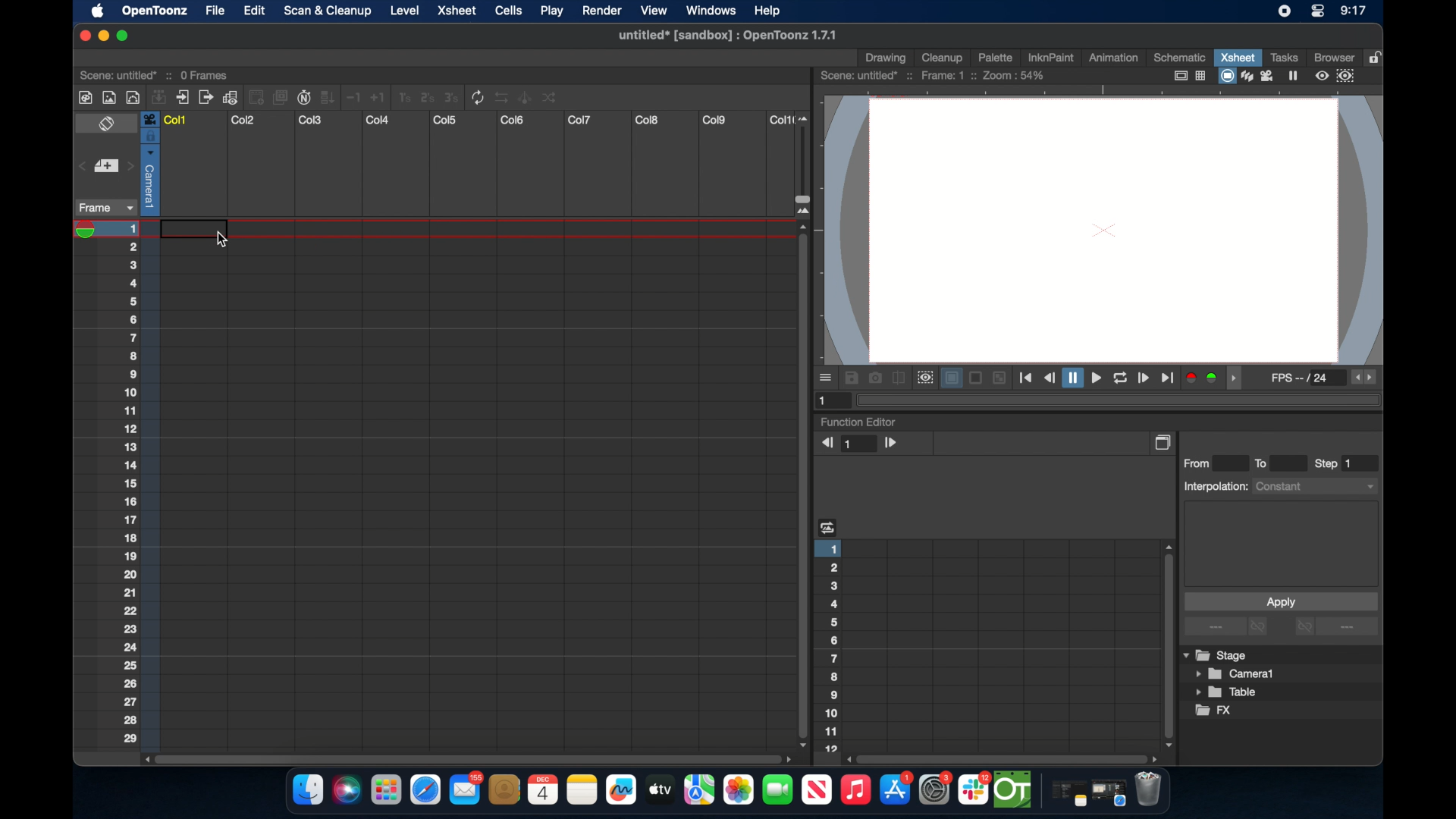 The width and height of the screenshot is (1456, 819). Describe the element at coordinates (582, 790) in the screenshot. I see `notes` at that location.